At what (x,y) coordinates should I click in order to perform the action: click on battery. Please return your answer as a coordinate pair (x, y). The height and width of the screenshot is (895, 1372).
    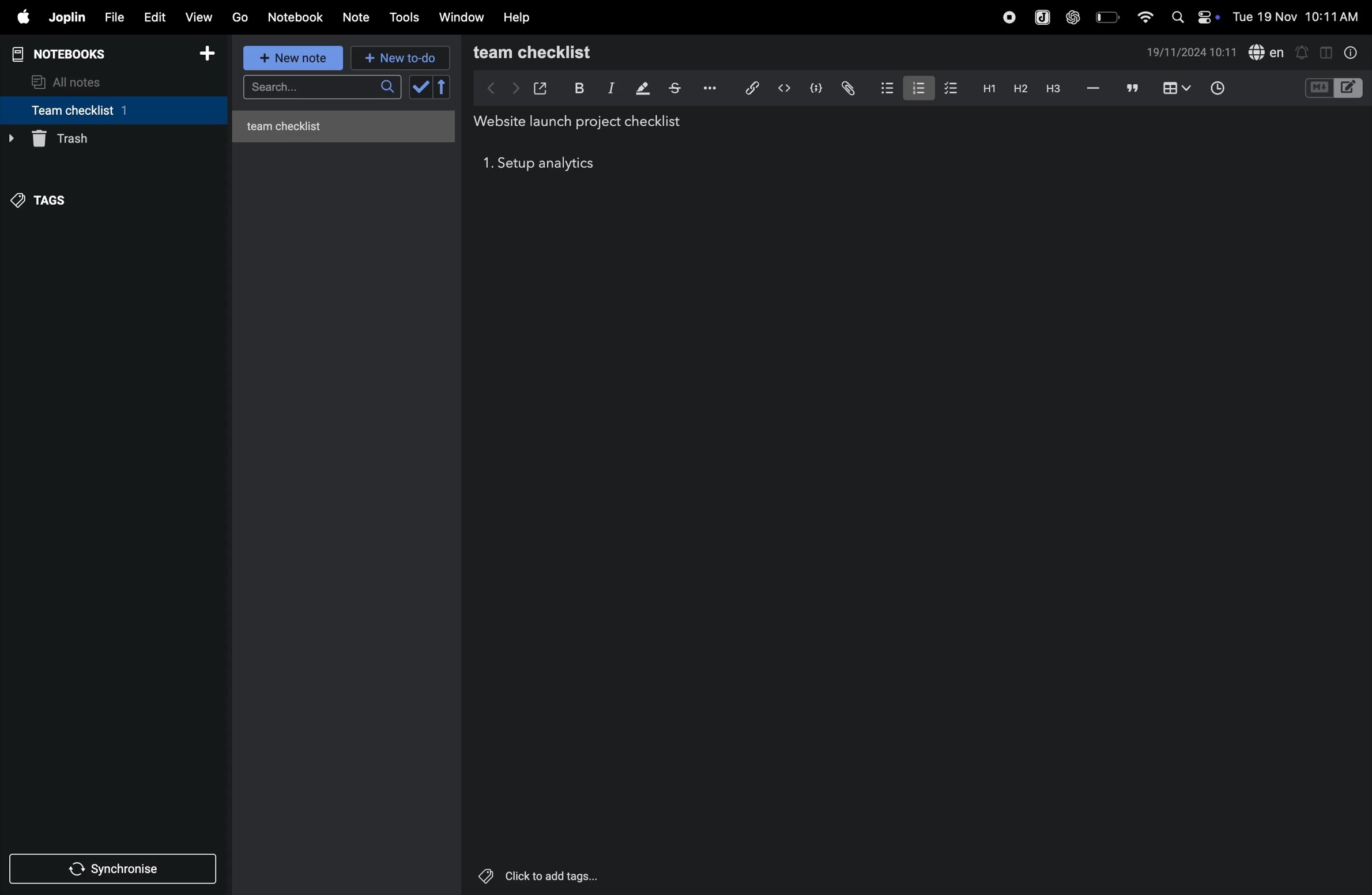
    Looking at the image, I should click on (1106, 17).